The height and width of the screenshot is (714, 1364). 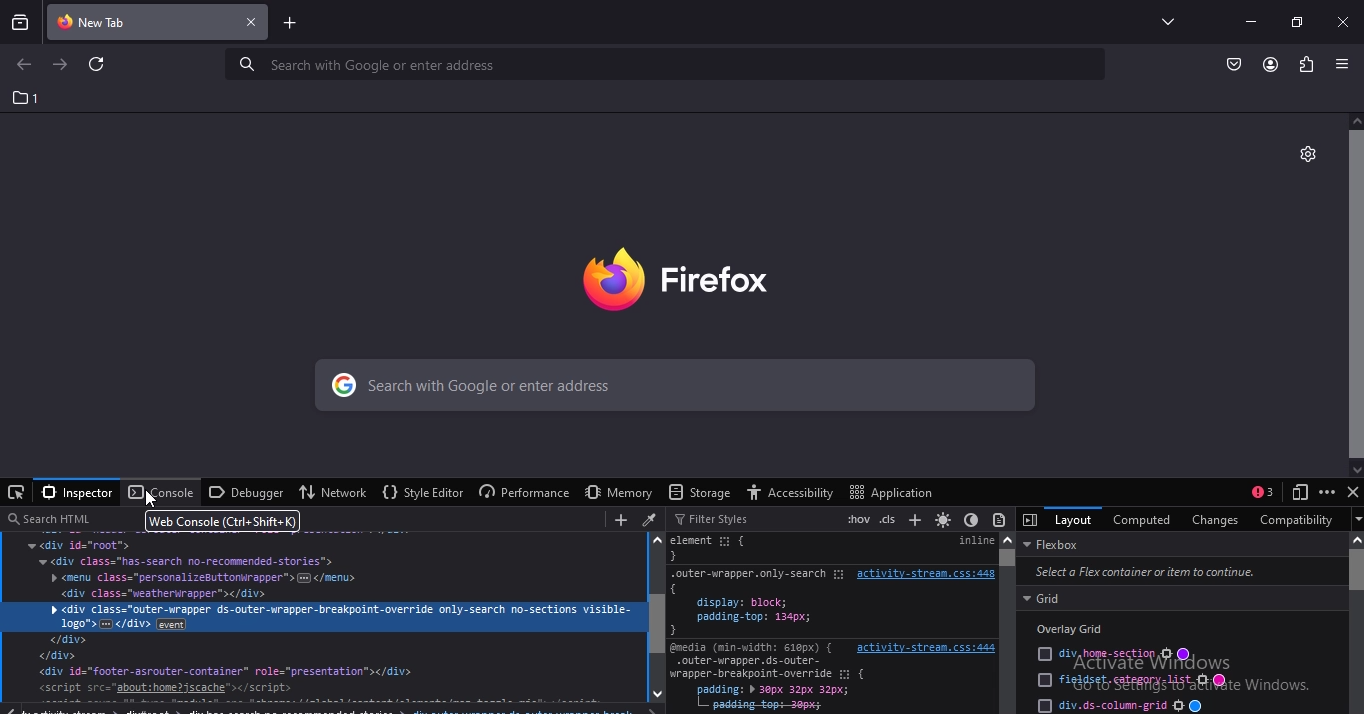 I want to click on debugger, so click(x=246, y=492).